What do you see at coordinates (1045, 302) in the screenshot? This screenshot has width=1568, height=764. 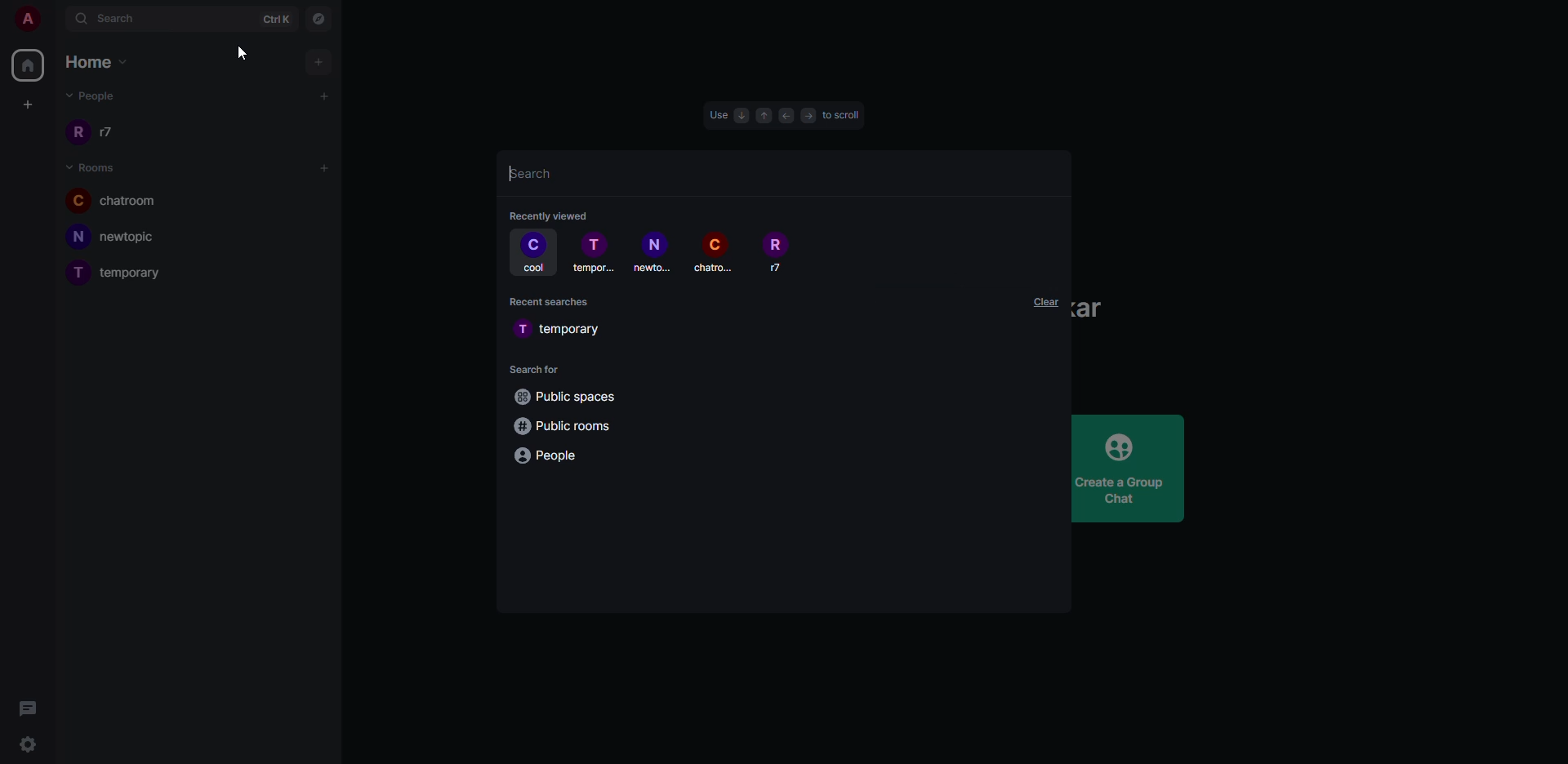 I see `clear` at bounding box center [1045, 302].